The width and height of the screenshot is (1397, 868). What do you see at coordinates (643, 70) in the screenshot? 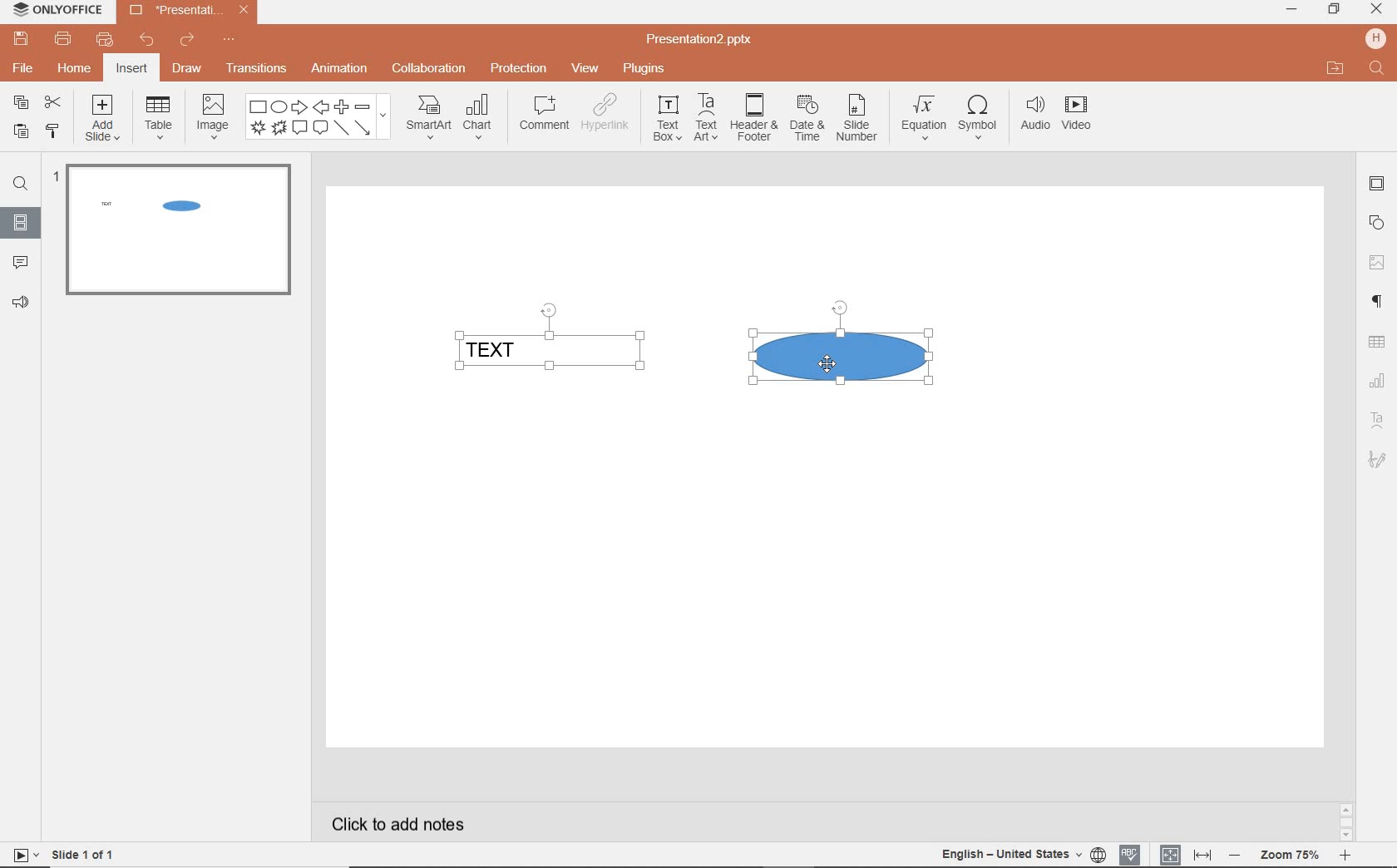
I see `plugins` at bounding box center [643, 70].